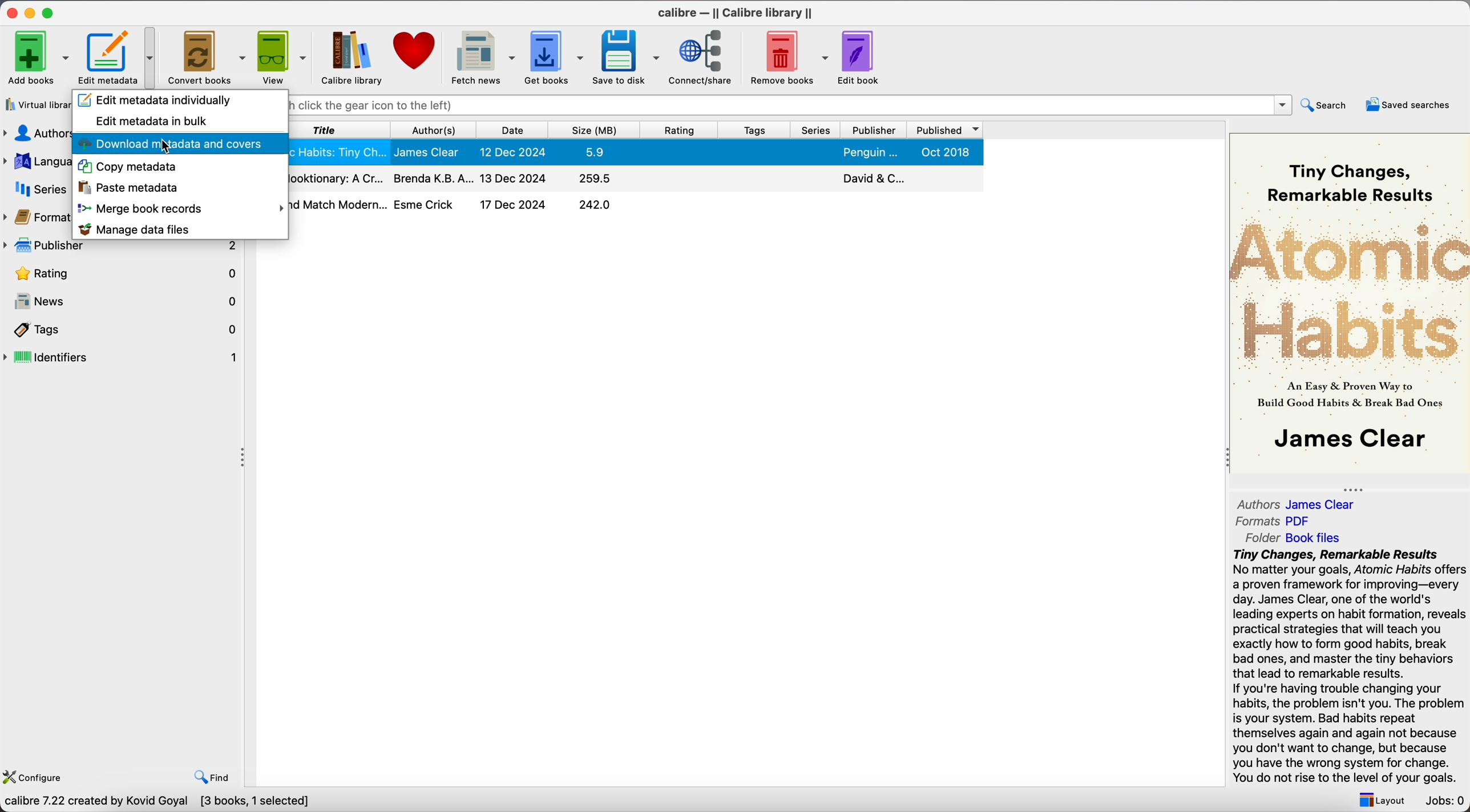  What do you see at coordinates (118, 250) in the screenshot?
I see `publisher` at bounding box center [118, 250].